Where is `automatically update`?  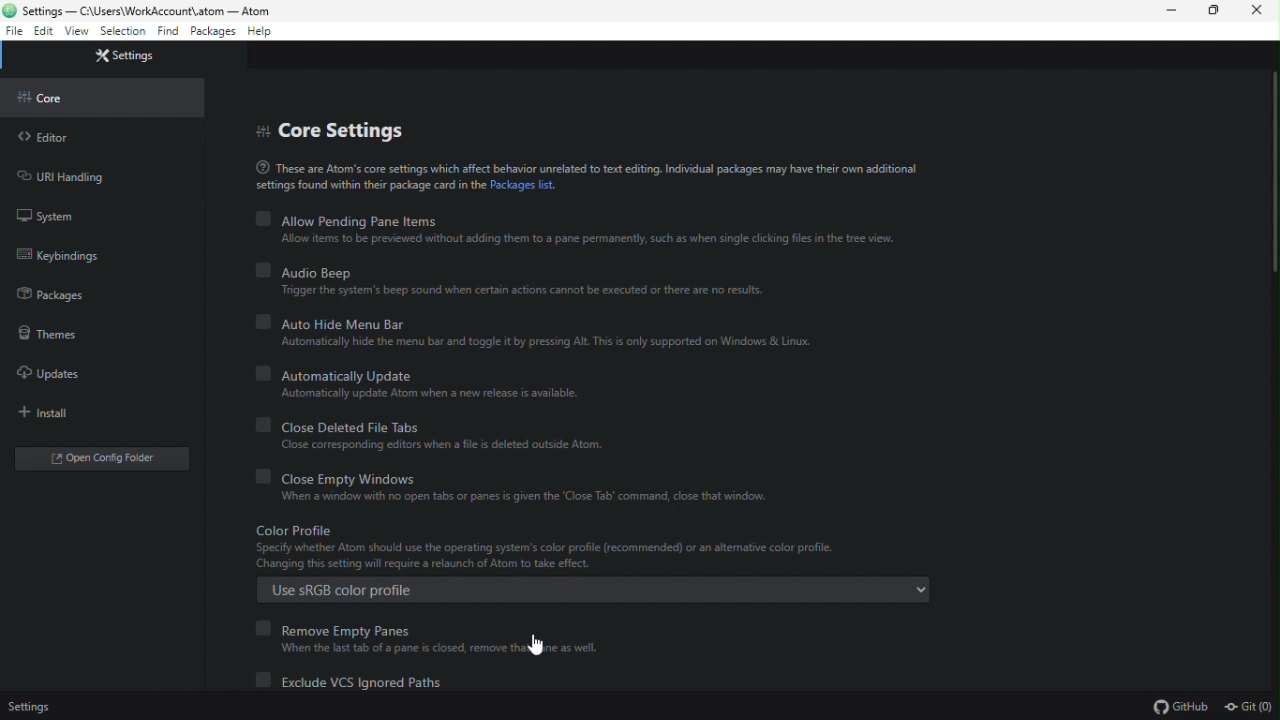
automatically update is located at coordinates (429, 385).